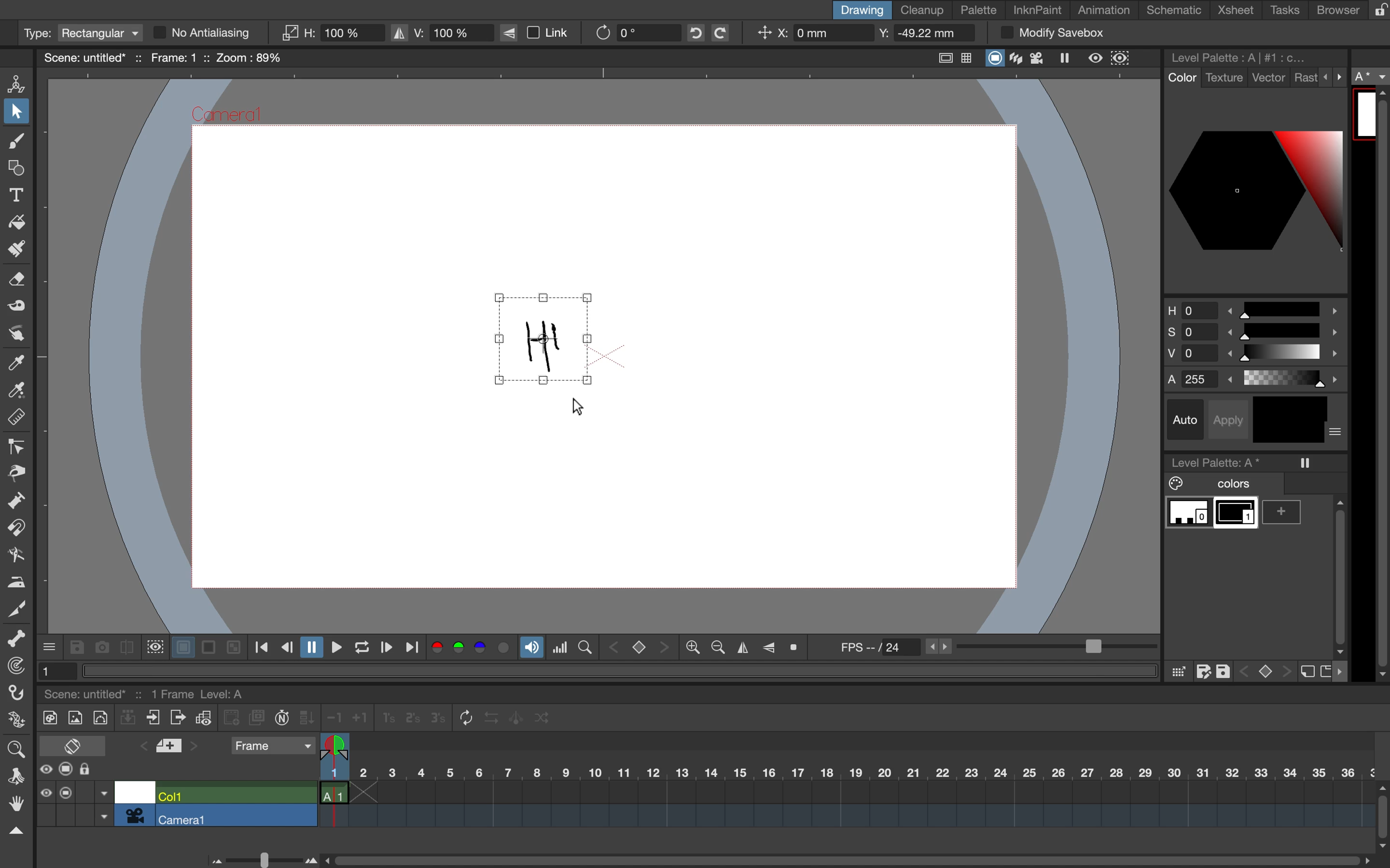 The height and width of the screenshot is (868, 1390). Describe the element at coordinates (1375, 11) in the screenshot. I see `lock rooms tab` at that location.